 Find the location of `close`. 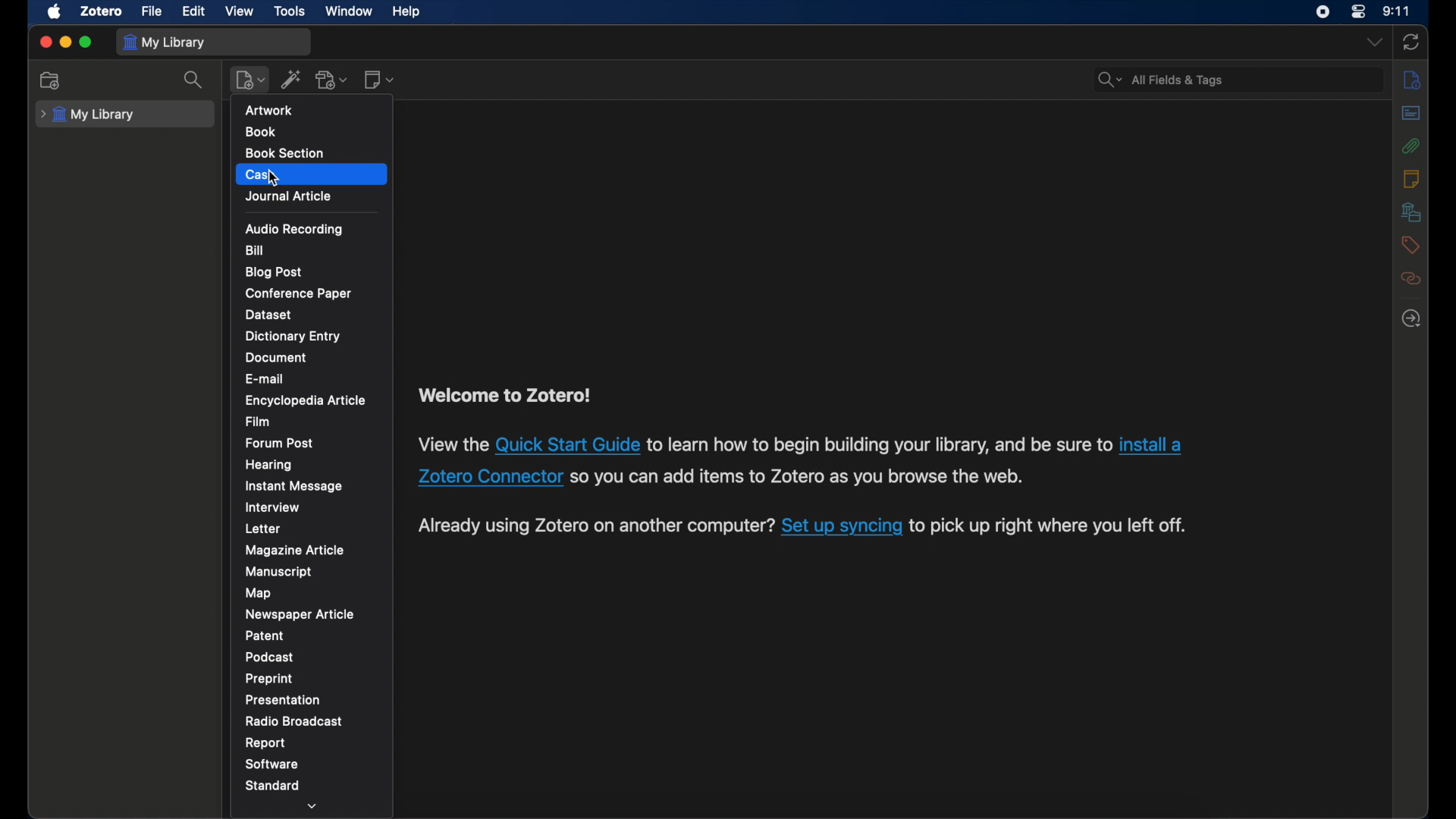

close is located at coordinates (45, 41).